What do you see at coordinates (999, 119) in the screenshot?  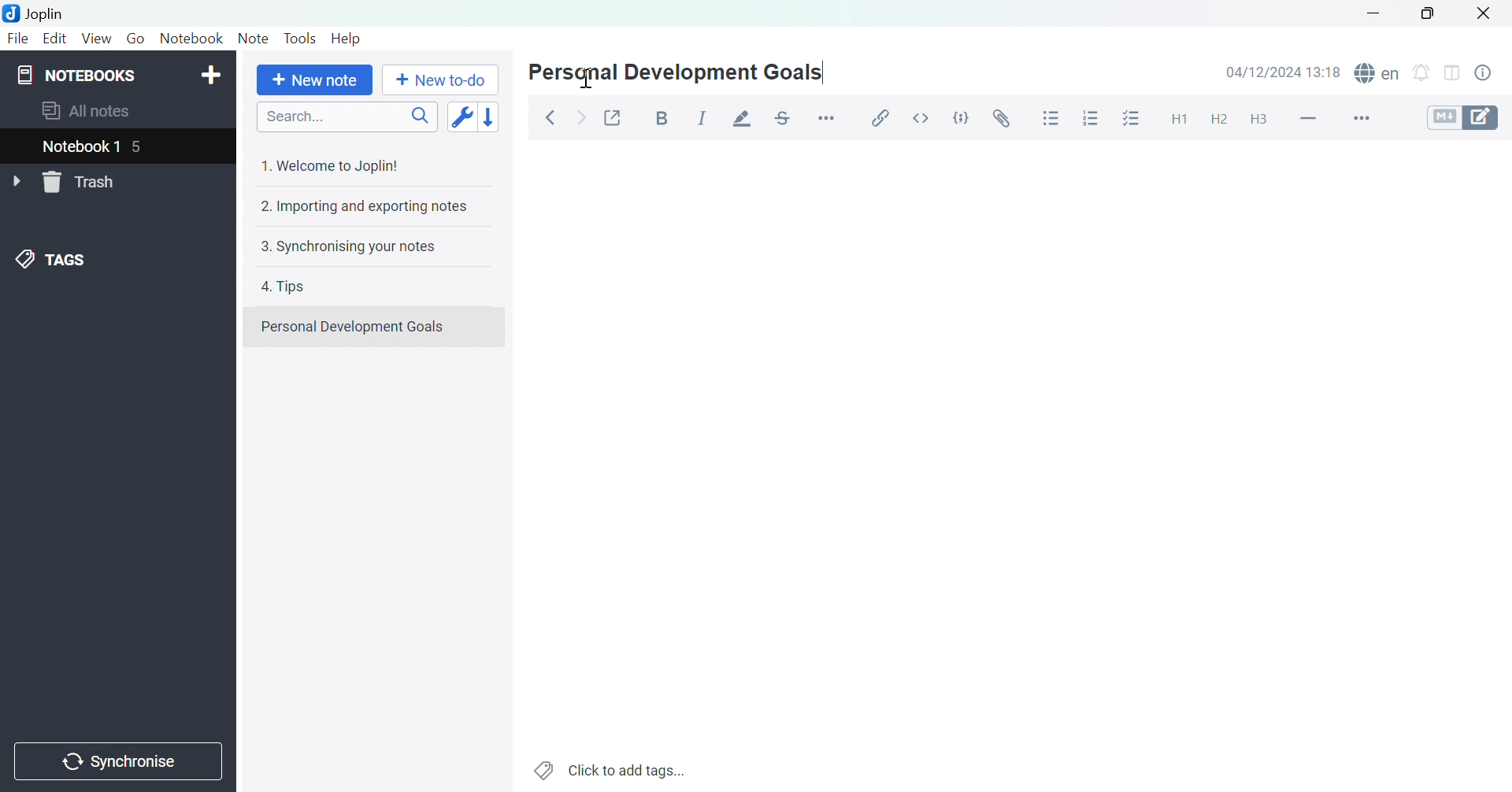 I see `Attach file` at bounding box center [999, 119].